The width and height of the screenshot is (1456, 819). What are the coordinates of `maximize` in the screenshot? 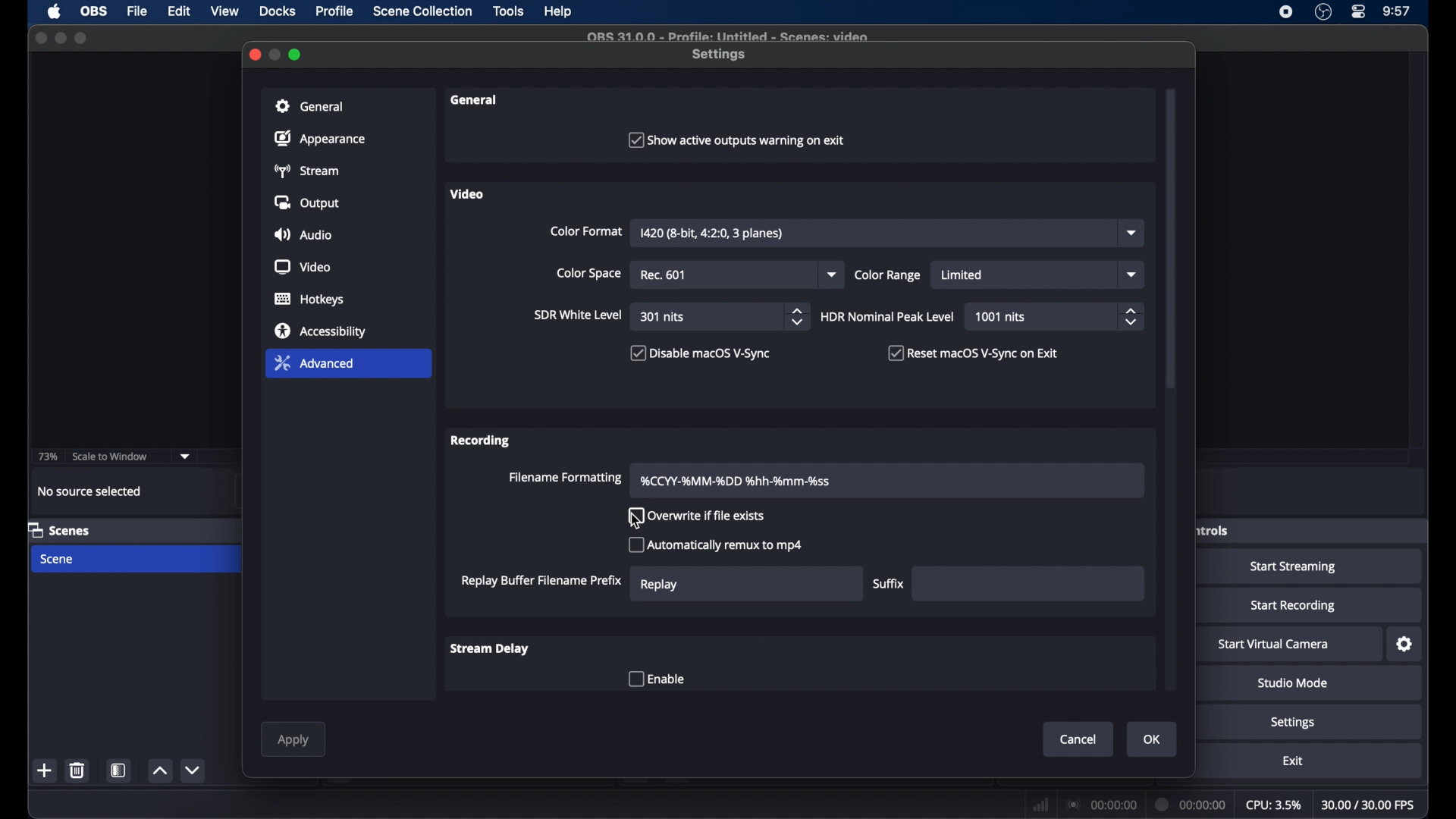 It's located at (60, 38).